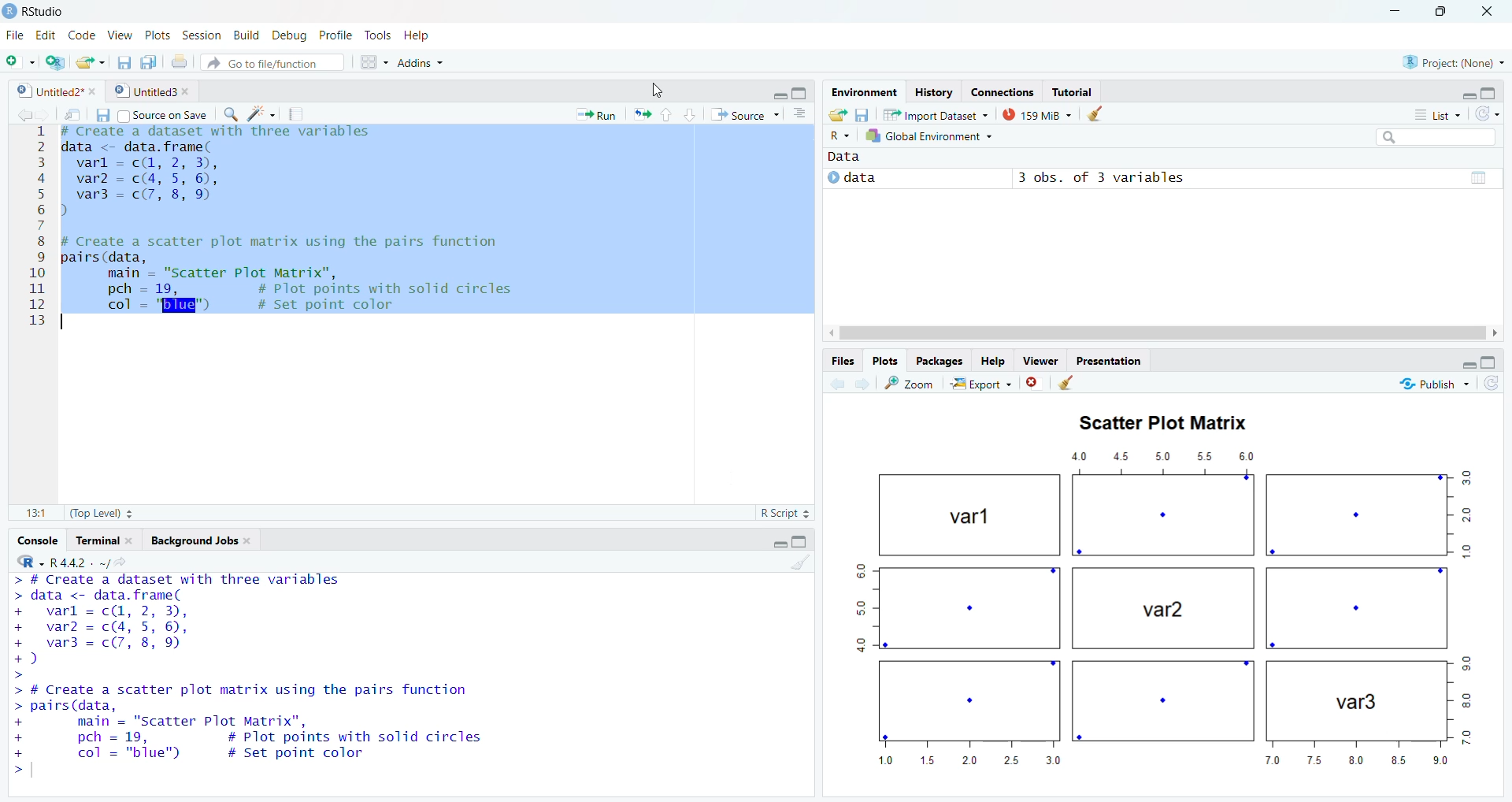  What do you see at coordinates (83, 34) in the screenshot?
I see `Code` at bounding box center [83, 34].